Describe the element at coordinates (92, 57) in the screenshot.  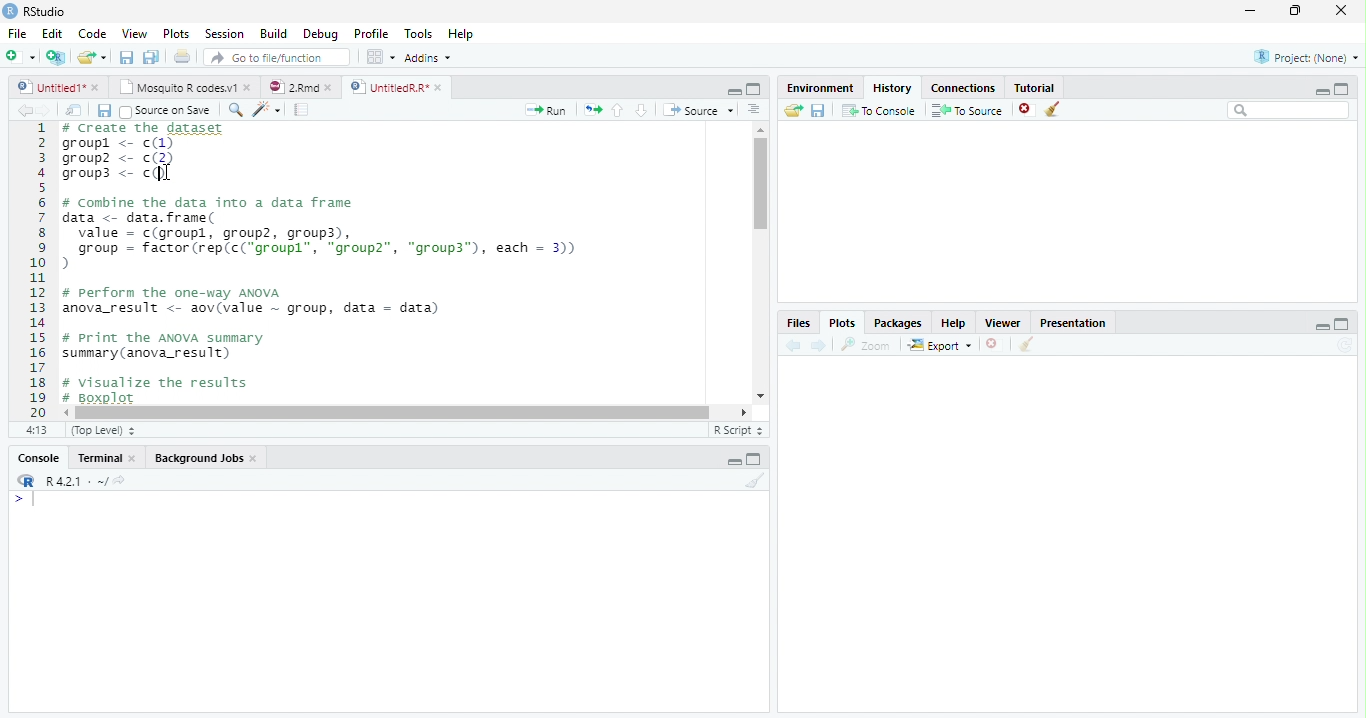
I see `Open an existing file` at that location.